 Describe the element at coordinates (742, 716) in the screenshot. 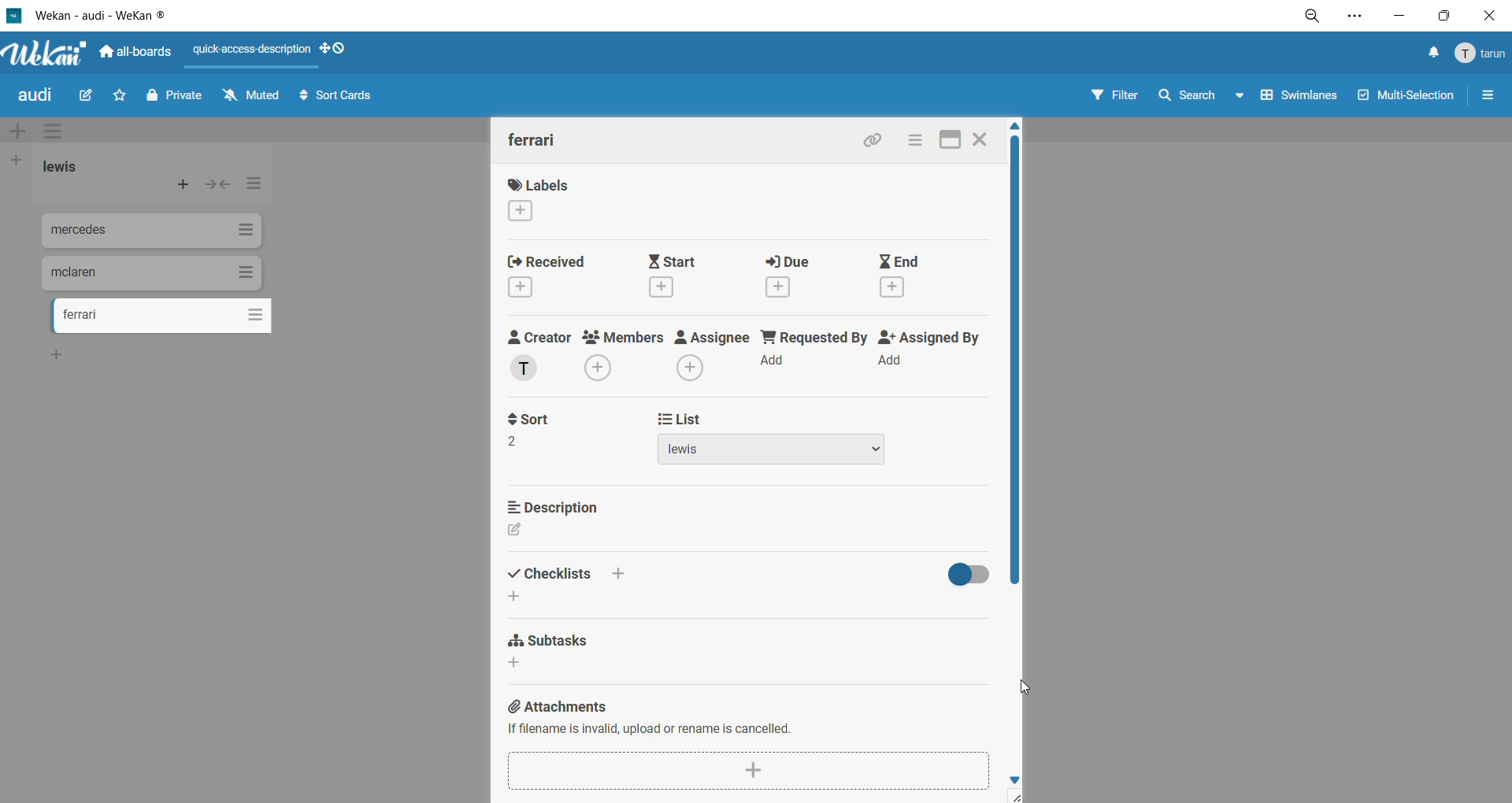

I see `attachments` at that location.